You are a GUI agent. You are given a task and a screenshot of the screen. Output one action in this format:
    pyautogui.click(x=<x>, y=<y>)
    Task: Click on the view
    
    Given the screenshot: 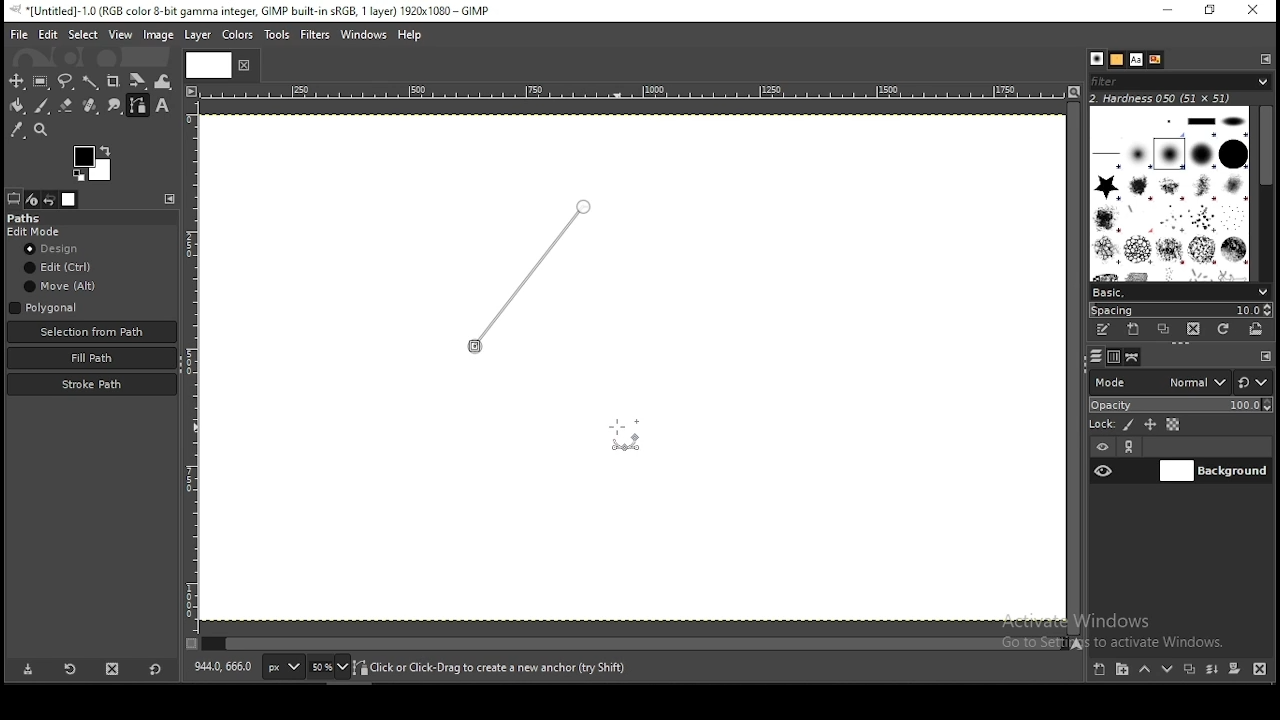 What is the action you would take?
    pyautogui.click(x=121, y=33)
    